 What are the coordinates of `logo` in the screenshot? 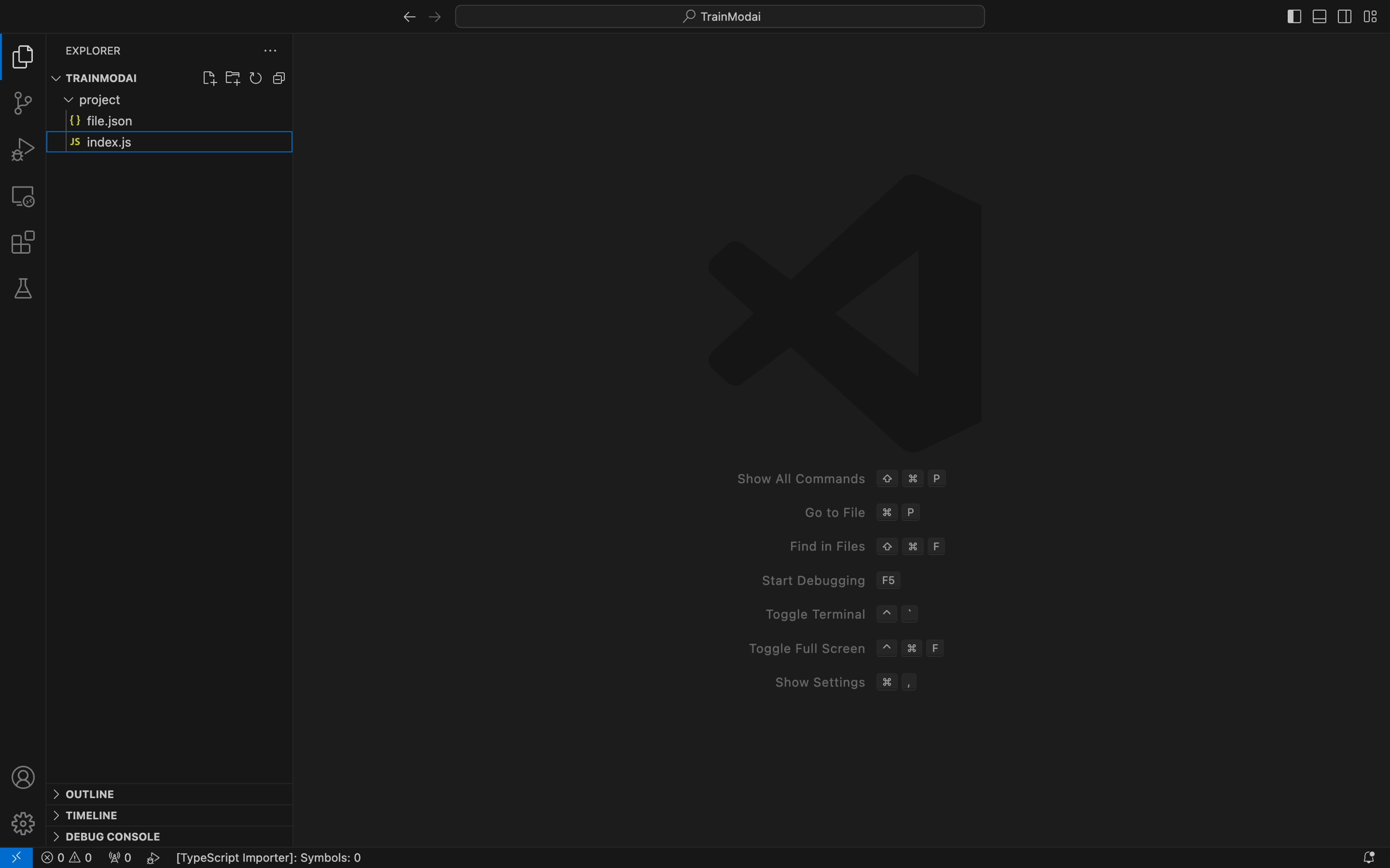 It's located at (848, 307).